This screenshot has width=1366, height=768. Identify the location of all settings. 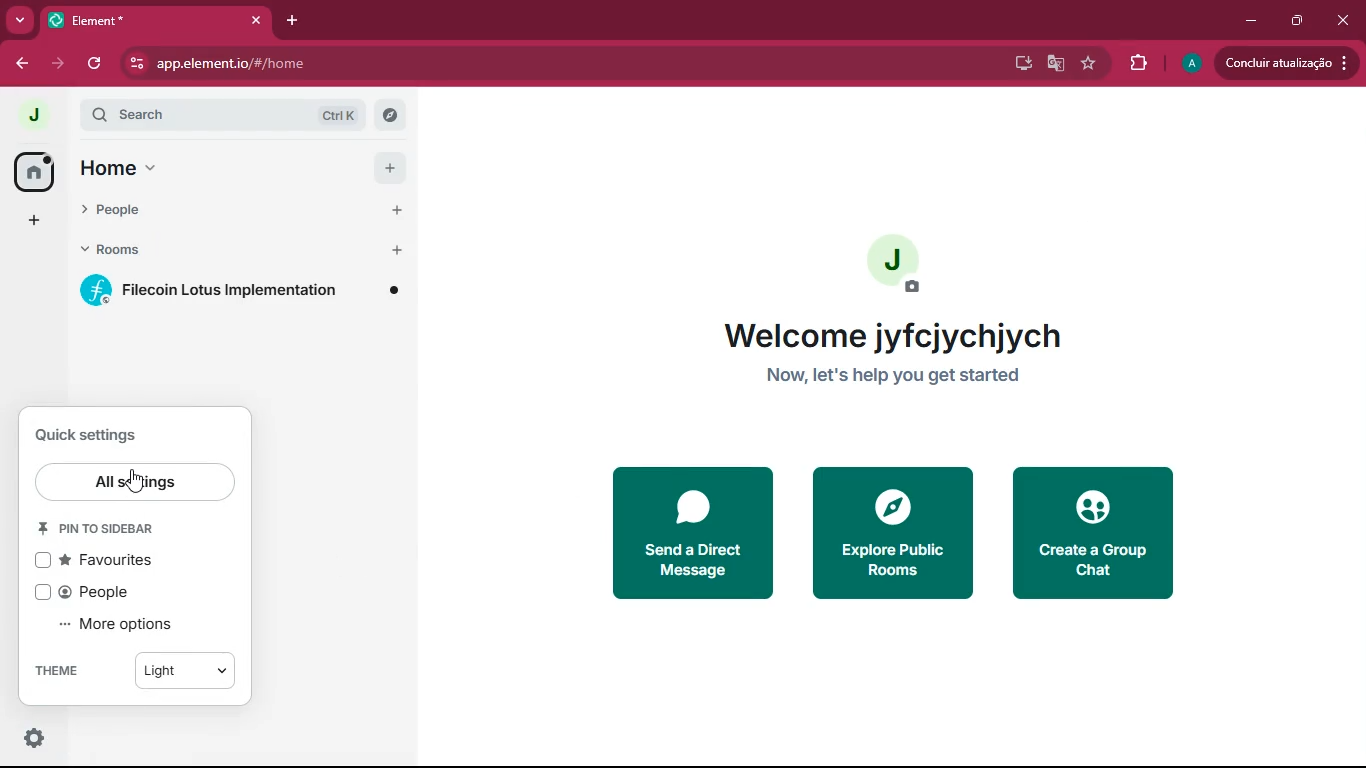
(135, 482).